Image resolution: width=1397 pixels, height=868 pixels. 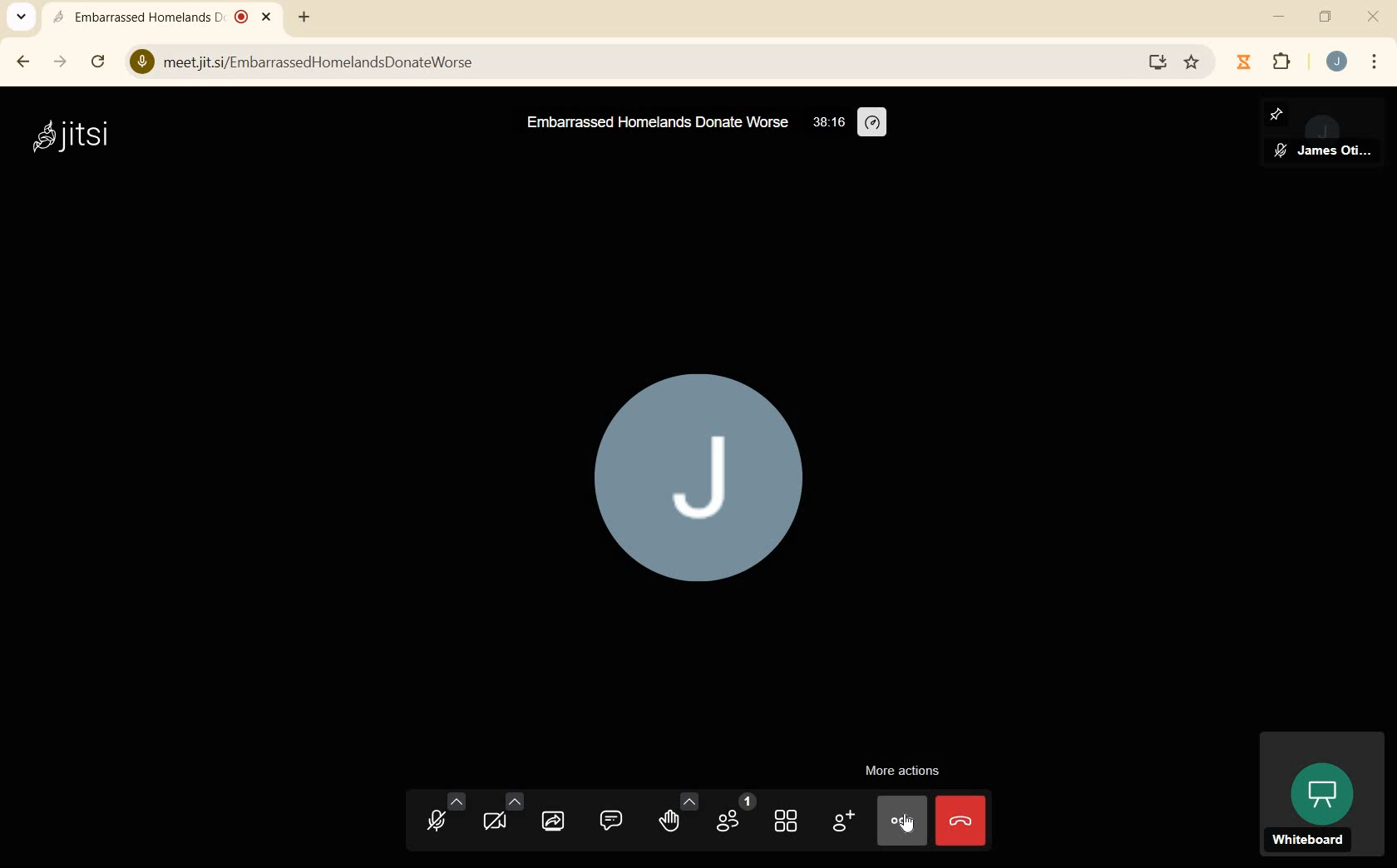 What do you see at coordinates (630, 62) in the screenshot?
I see `address bar` at bounding box center [630, 62].